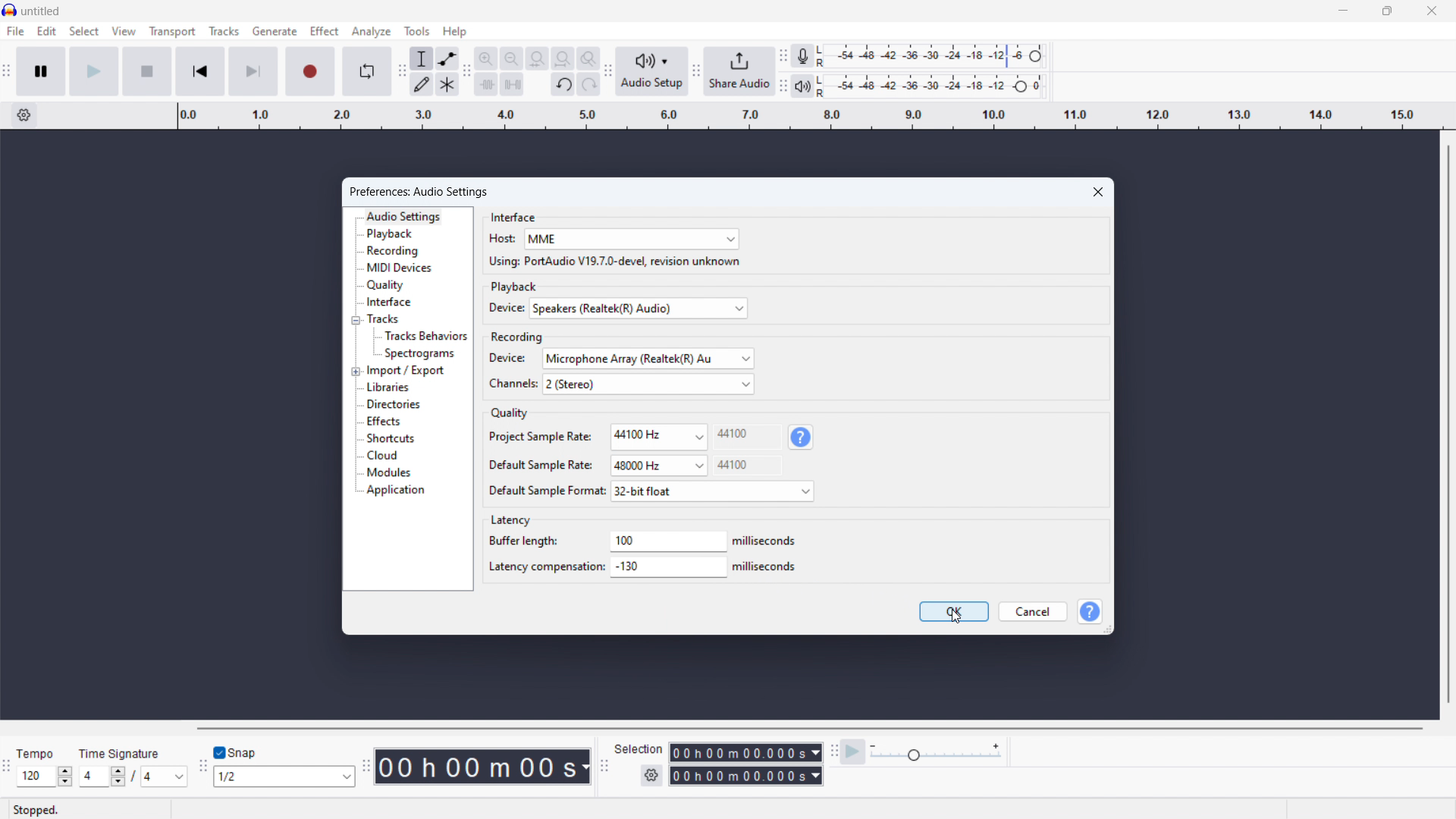  What do you see at coordinates (394, 251) in the screenshot?
I see `recording` at bounding box center [394, 251].